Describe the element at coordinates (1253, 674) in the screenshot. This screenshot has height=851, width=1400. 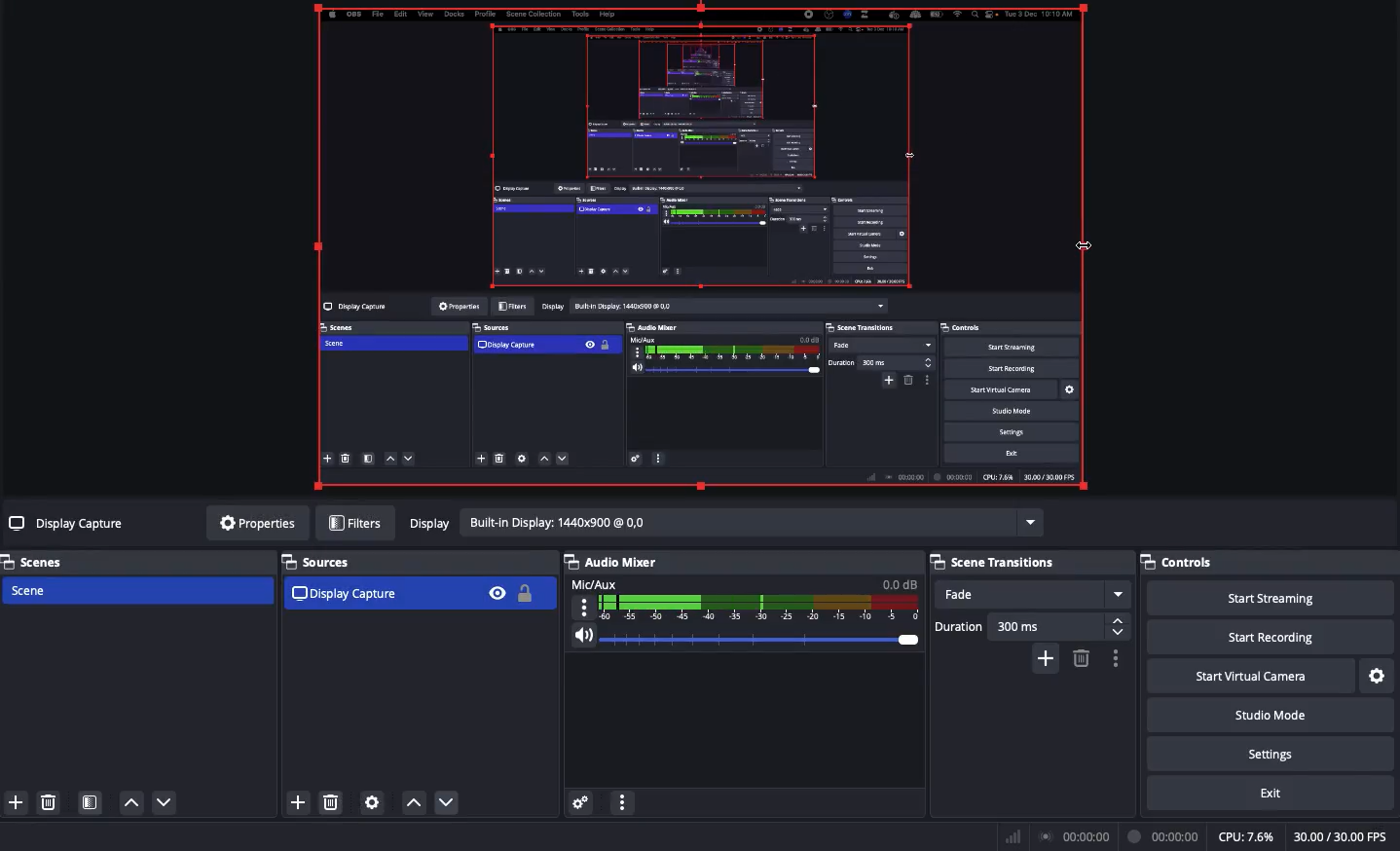
I see `Start virtual camera` at that location.